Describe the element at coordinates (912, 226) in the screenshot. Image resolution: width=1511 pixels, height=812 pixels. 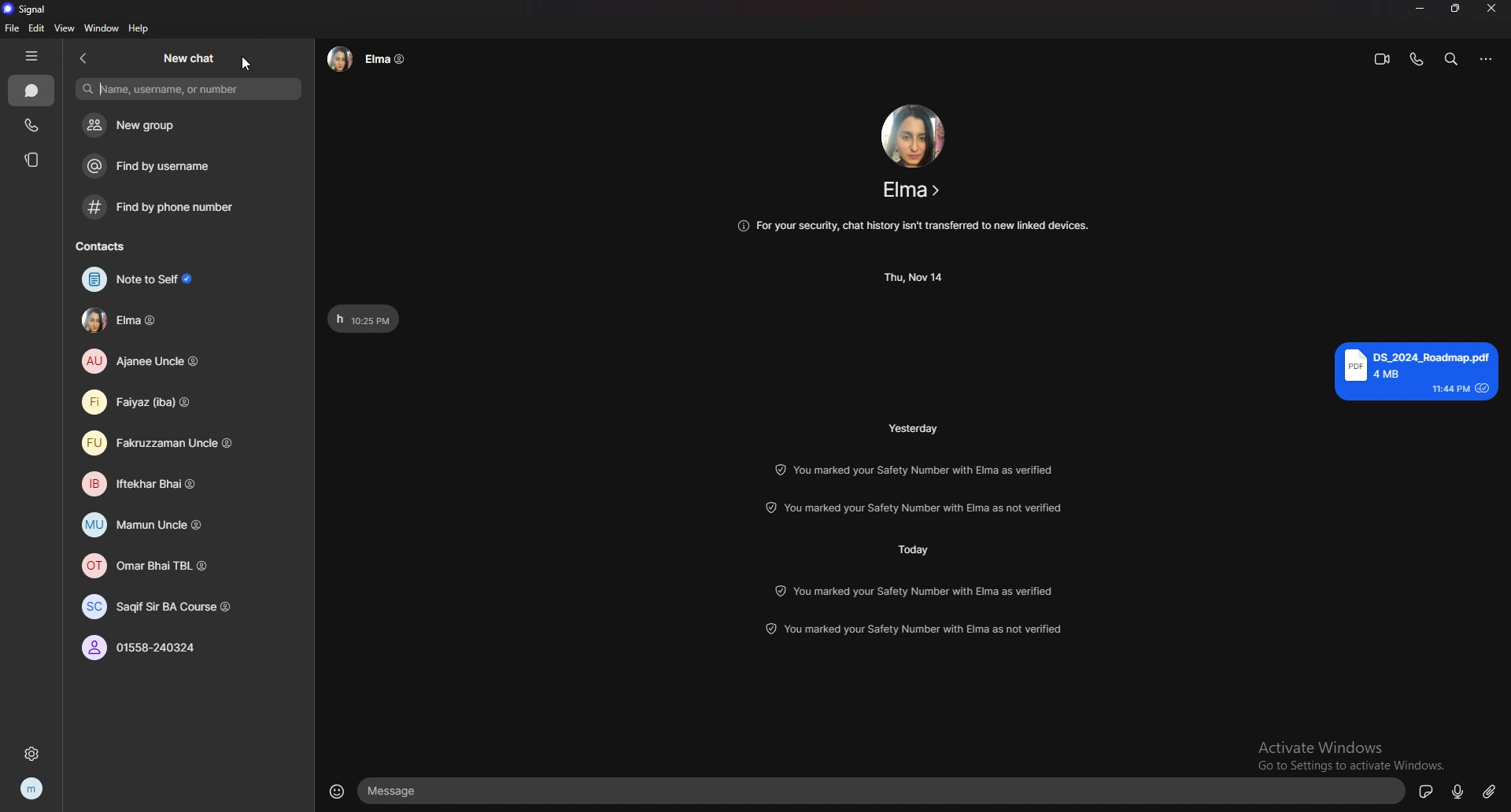
I see `info` at that location.